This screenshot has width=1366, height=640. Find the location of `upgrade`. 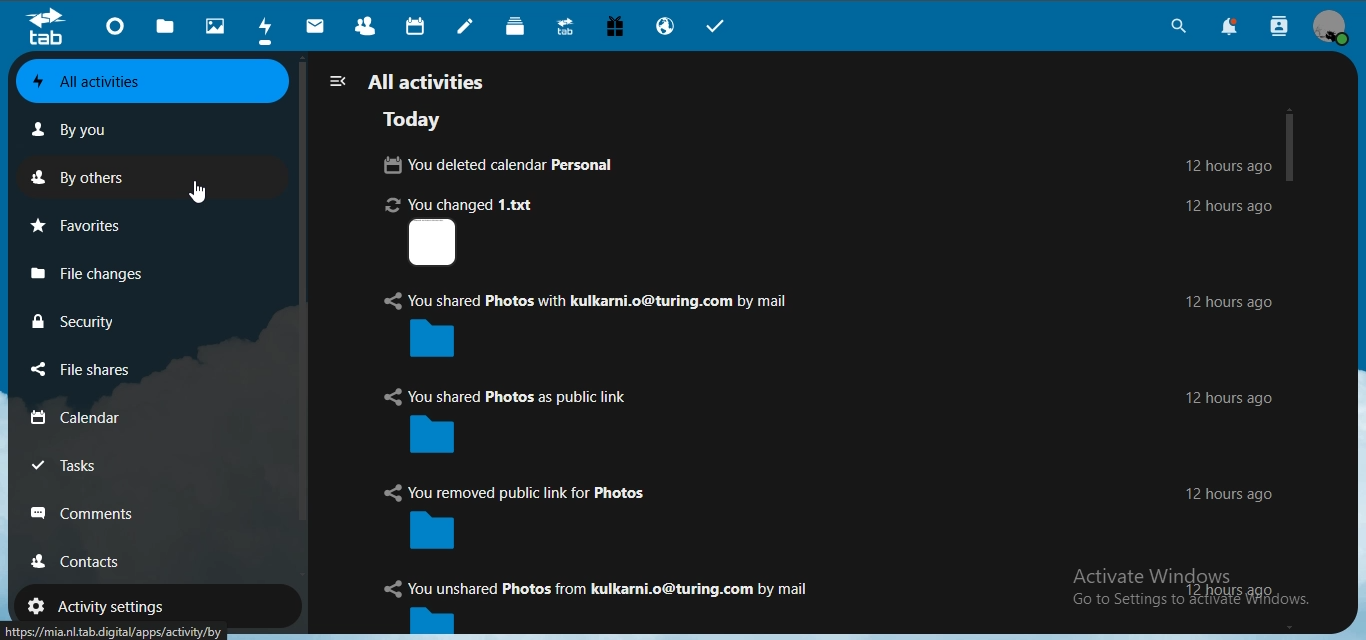

upgrade is located at coordinates (564, 25).